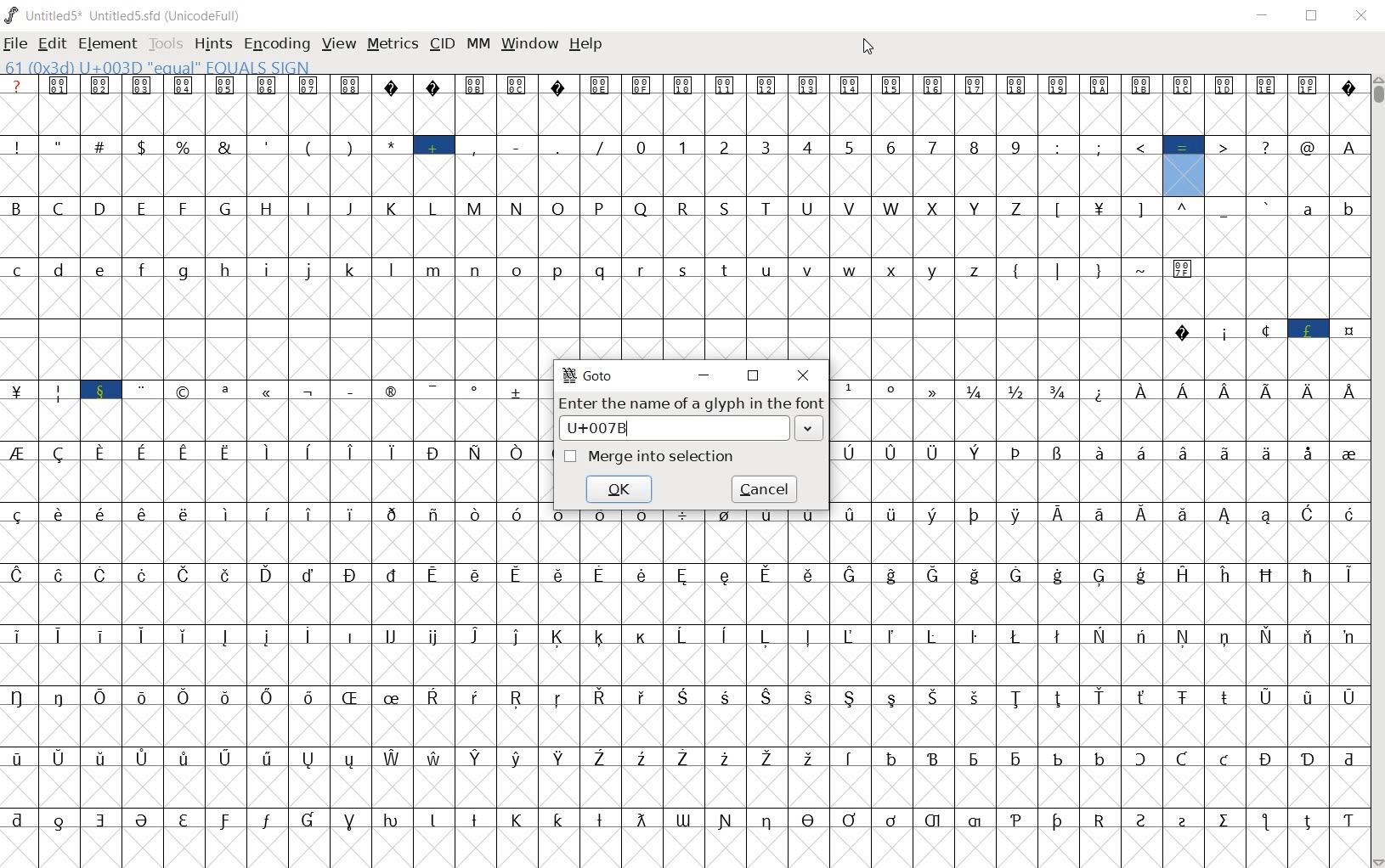 This screenshot has width=1385, height=868. What do you see at coordinates (1377, 471) in the screenshot?
I see `scrollbar` at bounding box center [1377, 471].